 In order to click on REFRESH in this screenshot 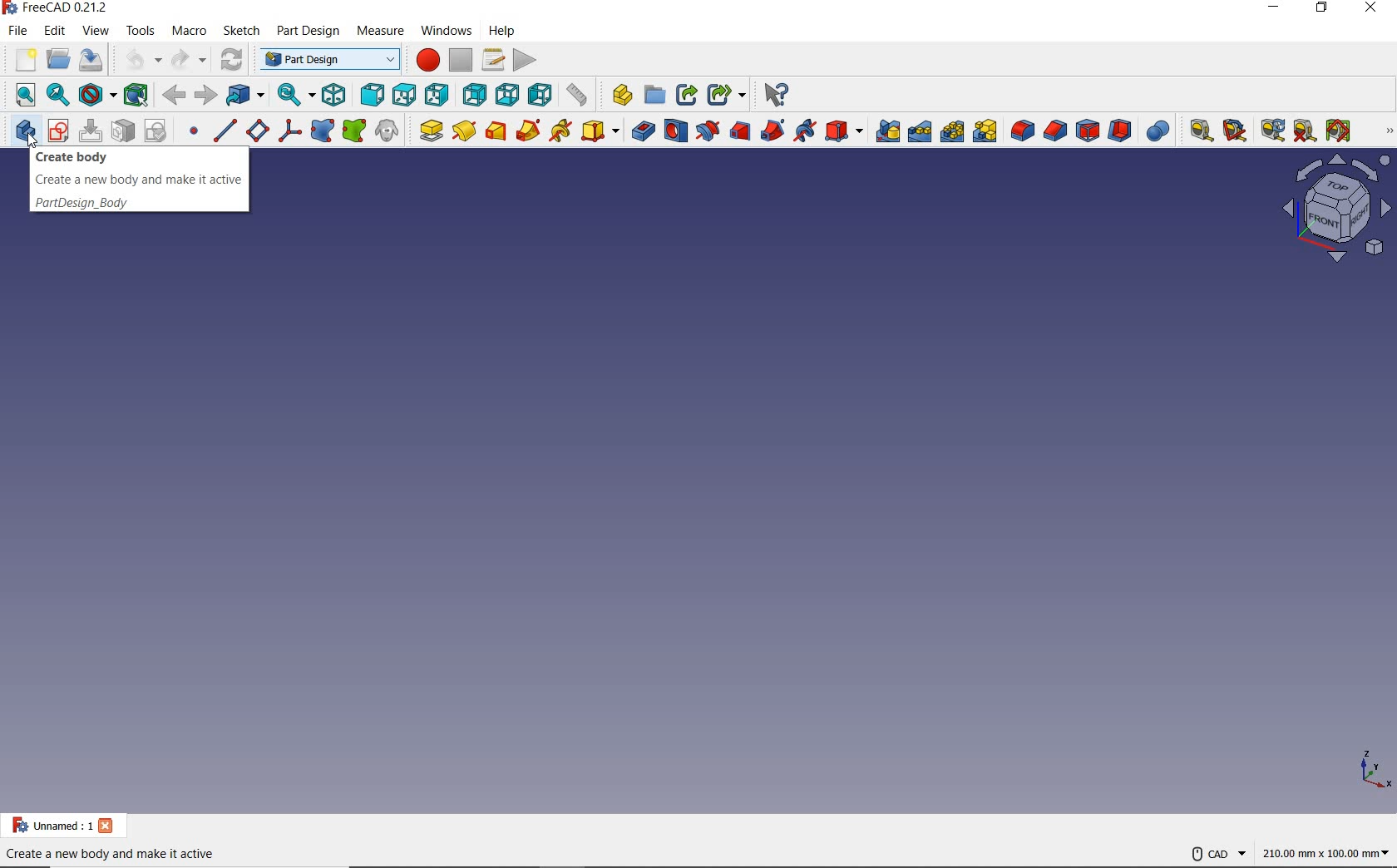, I will do `click(1272, 131)`.